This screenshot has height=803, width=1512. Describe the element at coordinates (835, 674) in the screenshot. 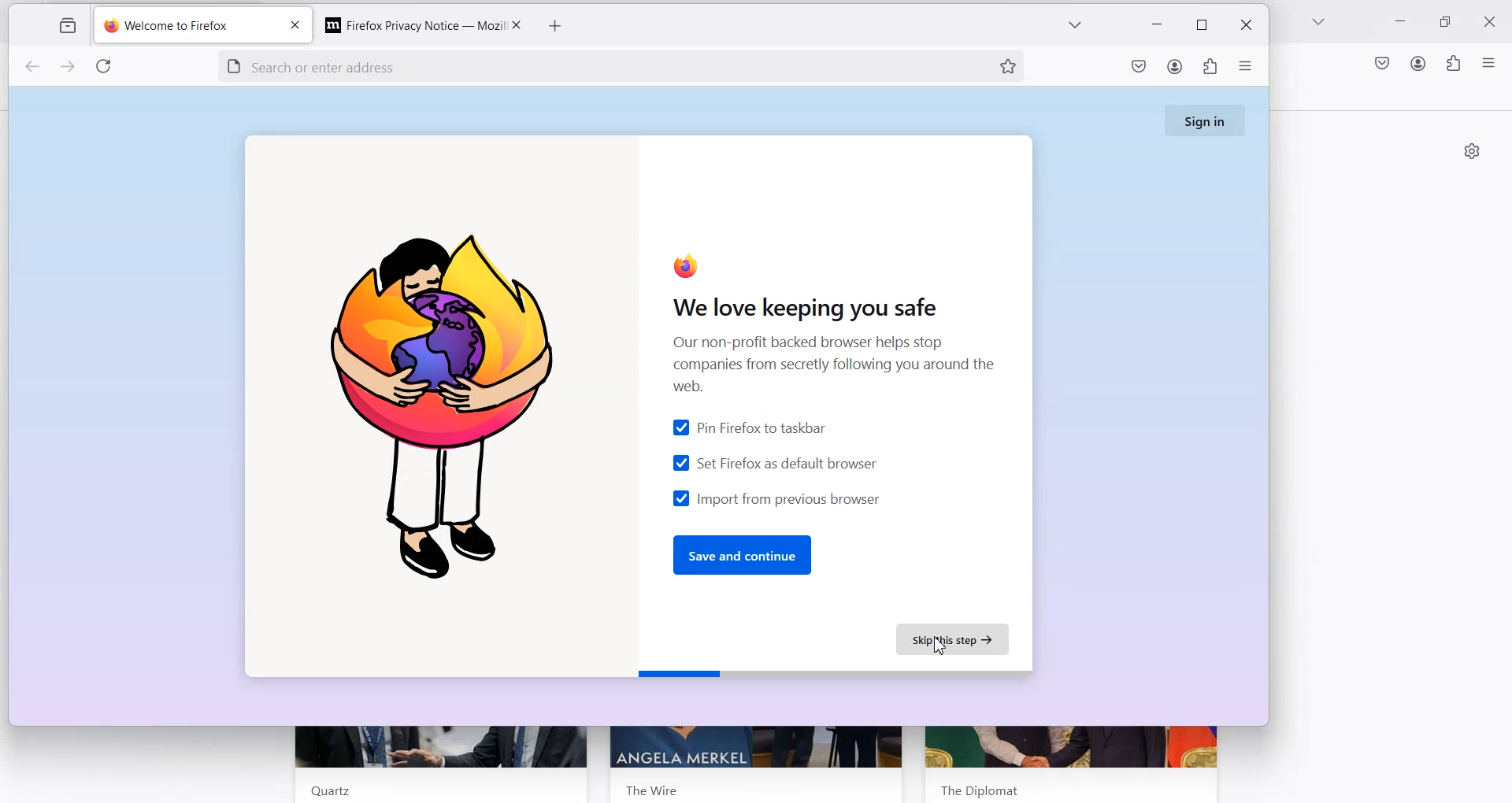

I see `completion status in bar` at that location.